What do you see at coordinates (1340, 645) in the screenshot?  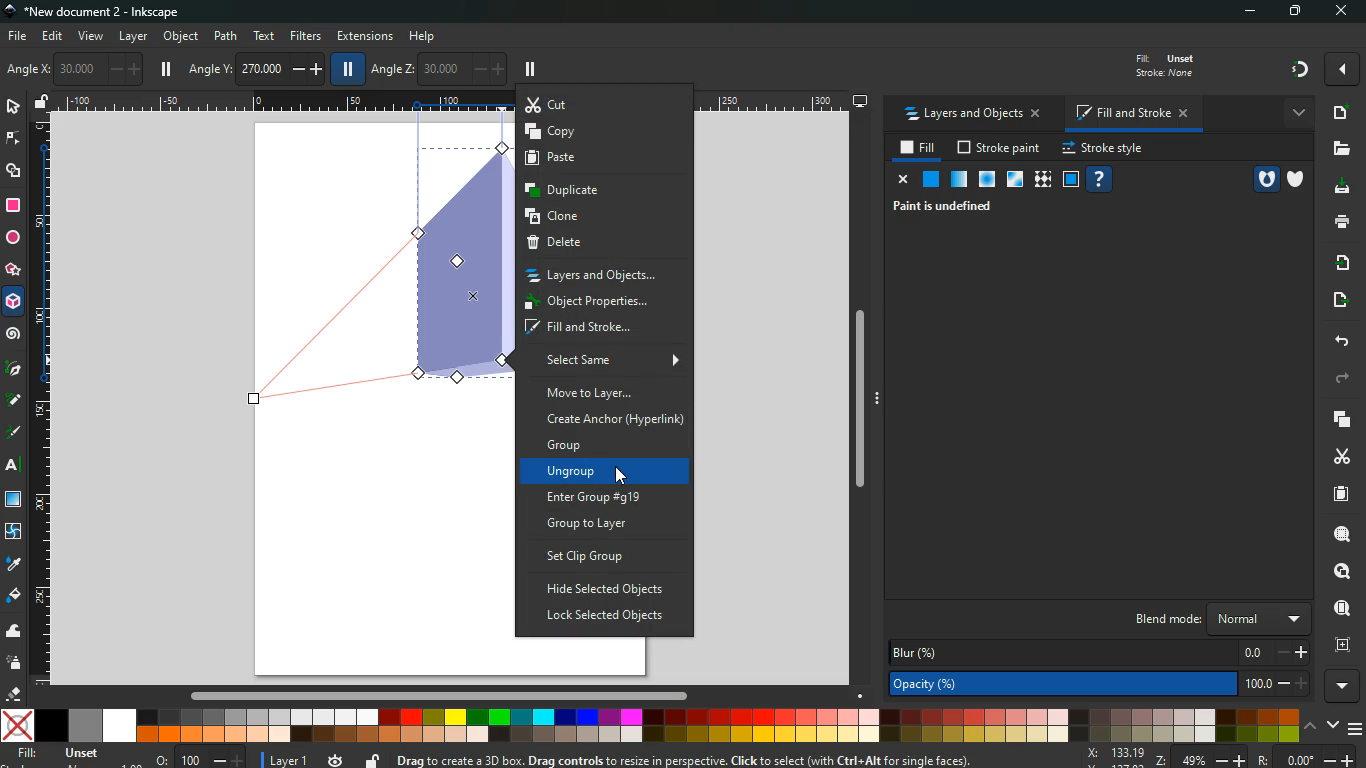 I see `frame` at bounding box center [1340, 645].